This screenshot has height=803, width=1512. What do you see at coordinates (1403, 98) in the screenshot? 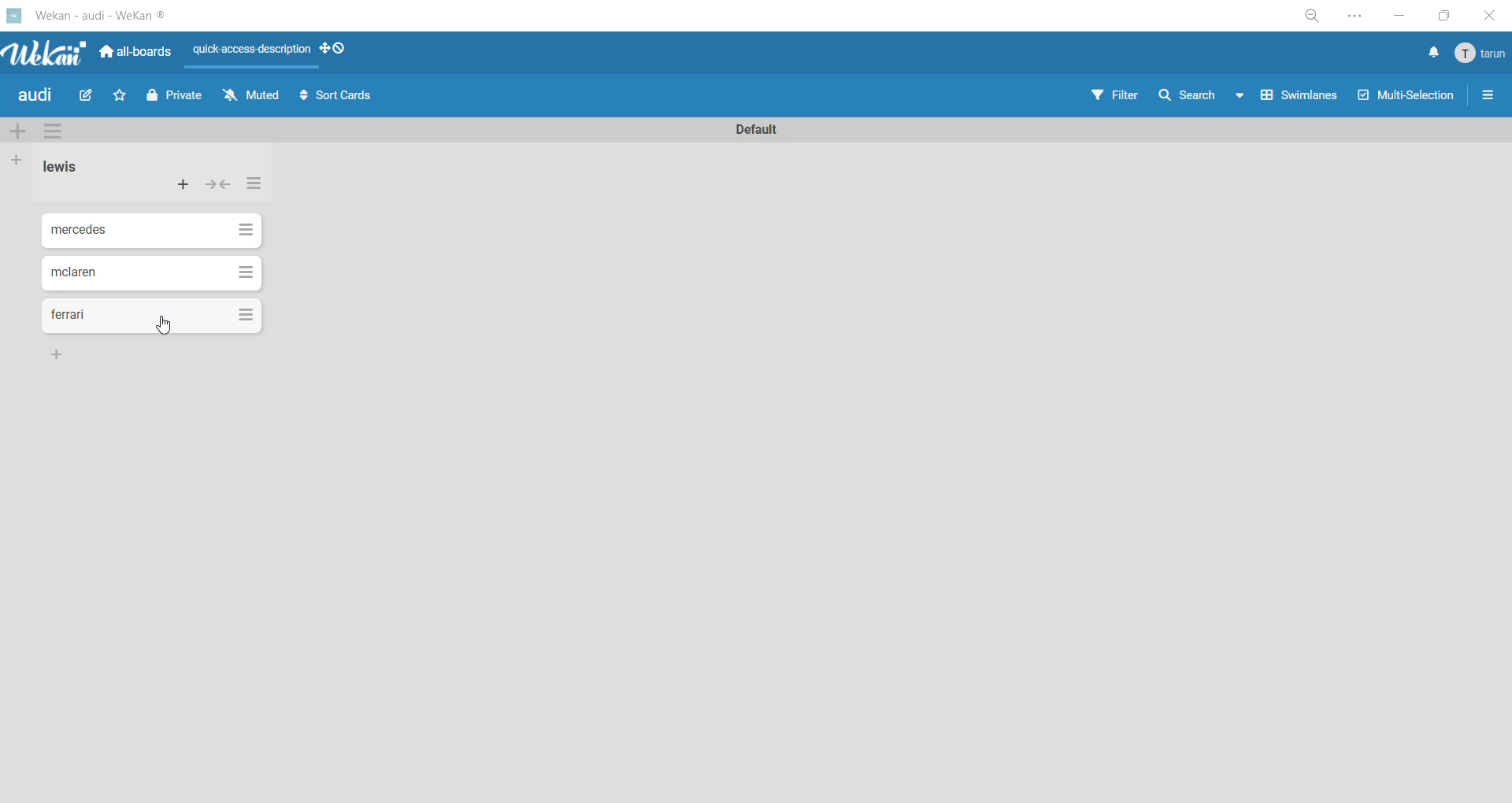
I see `multiselections` at bounding box center [1403, 98].